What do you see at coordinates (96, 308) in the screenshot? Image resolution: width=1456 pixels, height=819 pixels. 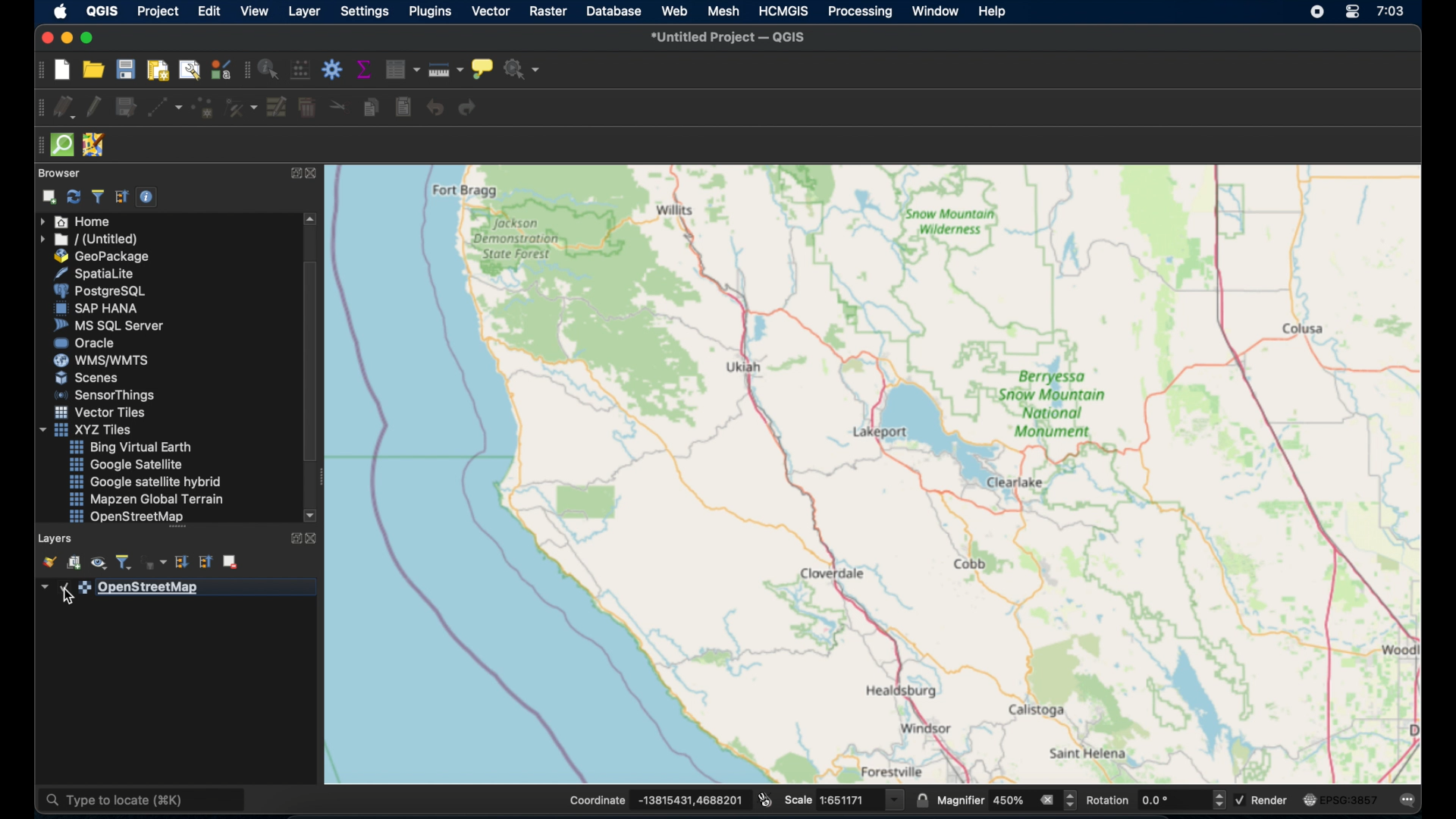 I see `sap hana` at bounding box center [96, 308].